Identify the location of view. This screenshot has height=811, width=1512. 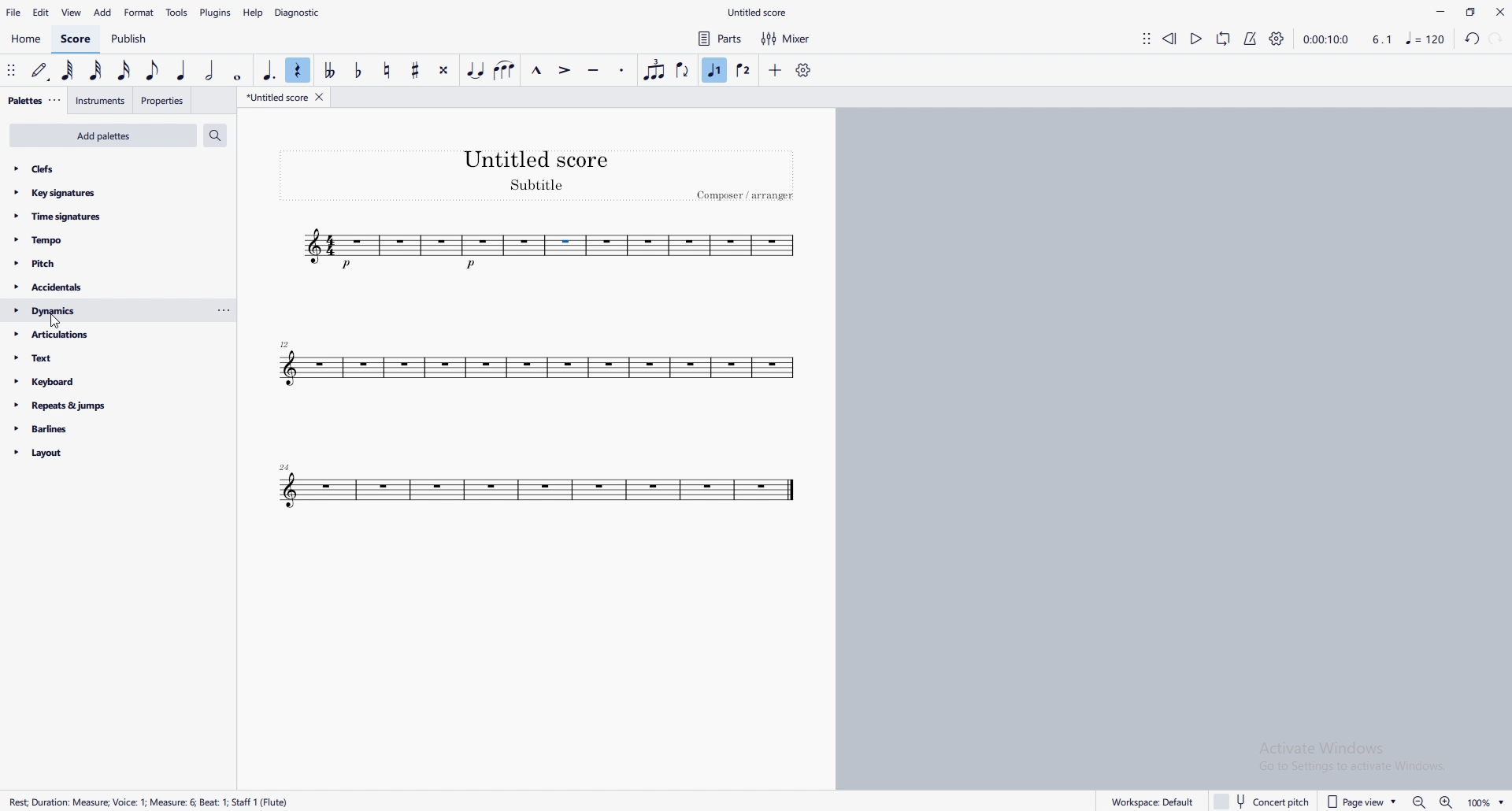
(72, 13).